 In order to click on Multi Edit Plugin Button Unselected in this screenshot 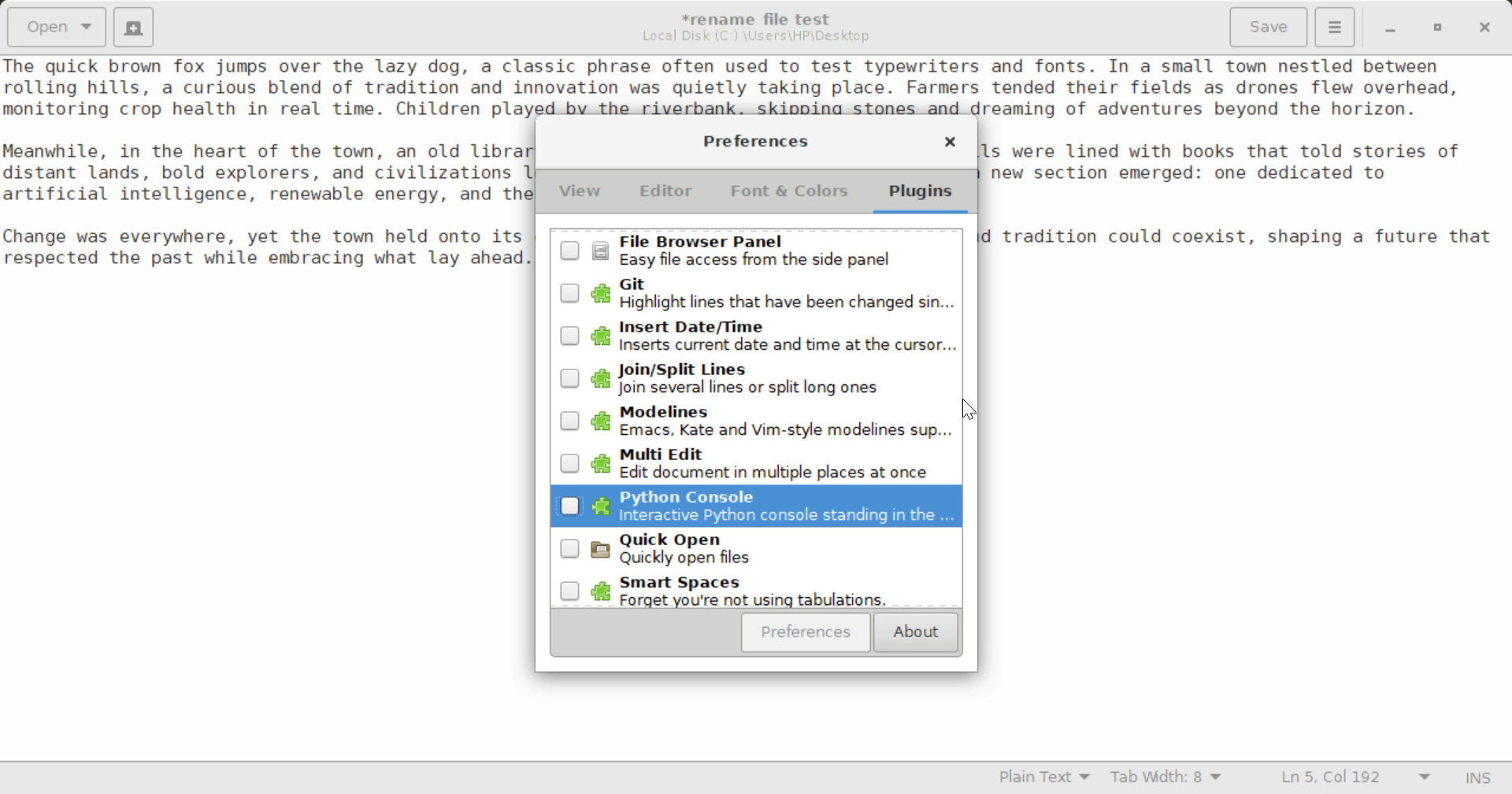, I will do `click(755, 464)`.